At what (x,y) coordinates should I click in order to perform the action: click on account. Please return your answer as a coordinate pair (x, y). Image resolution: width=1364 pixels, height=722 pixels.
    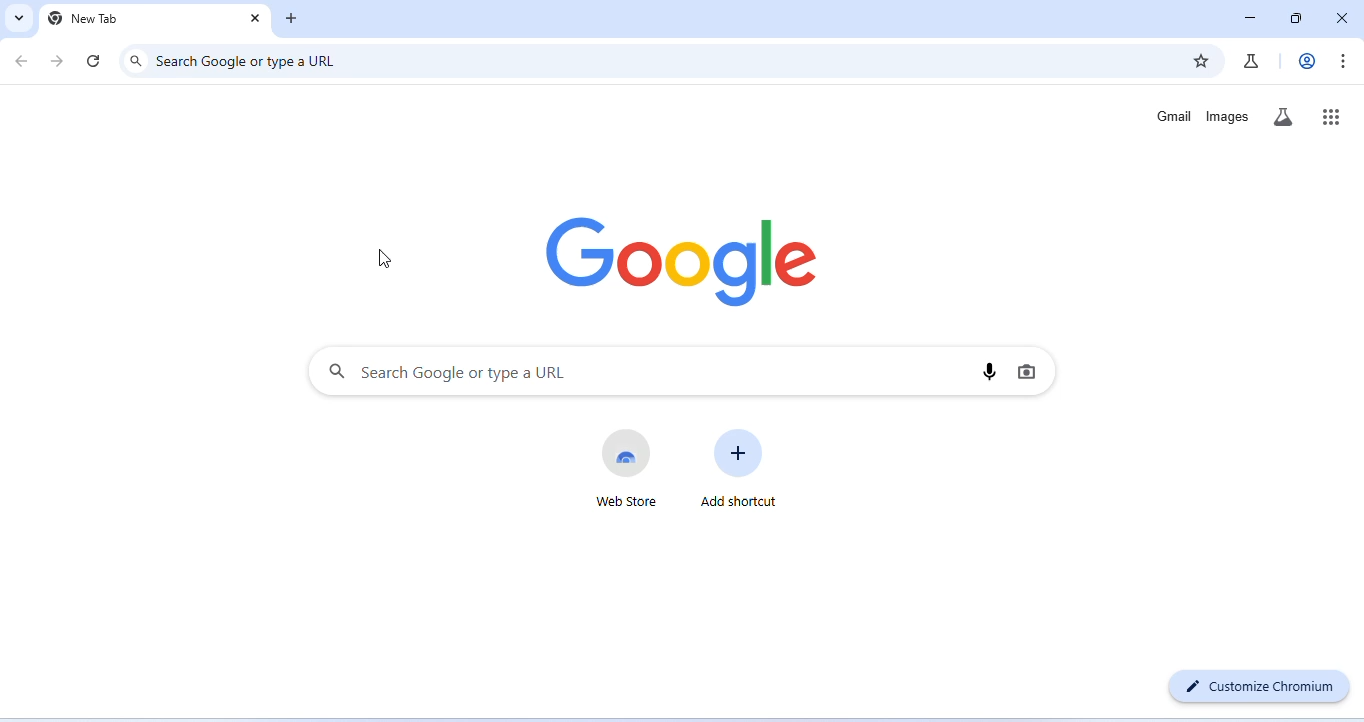
    Looking at the image, I should click on (1304, 61).